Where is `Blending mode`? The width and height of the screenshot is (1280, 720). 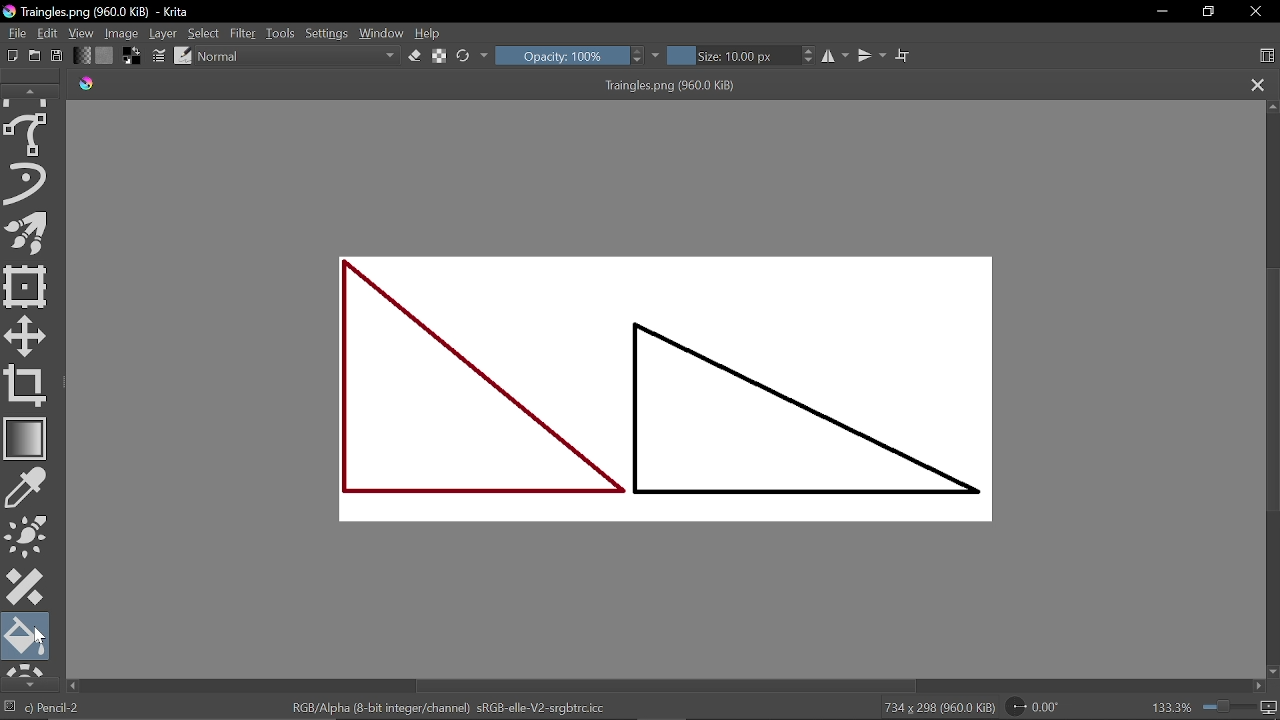
Blending mode is located at coordinates (298, 57).